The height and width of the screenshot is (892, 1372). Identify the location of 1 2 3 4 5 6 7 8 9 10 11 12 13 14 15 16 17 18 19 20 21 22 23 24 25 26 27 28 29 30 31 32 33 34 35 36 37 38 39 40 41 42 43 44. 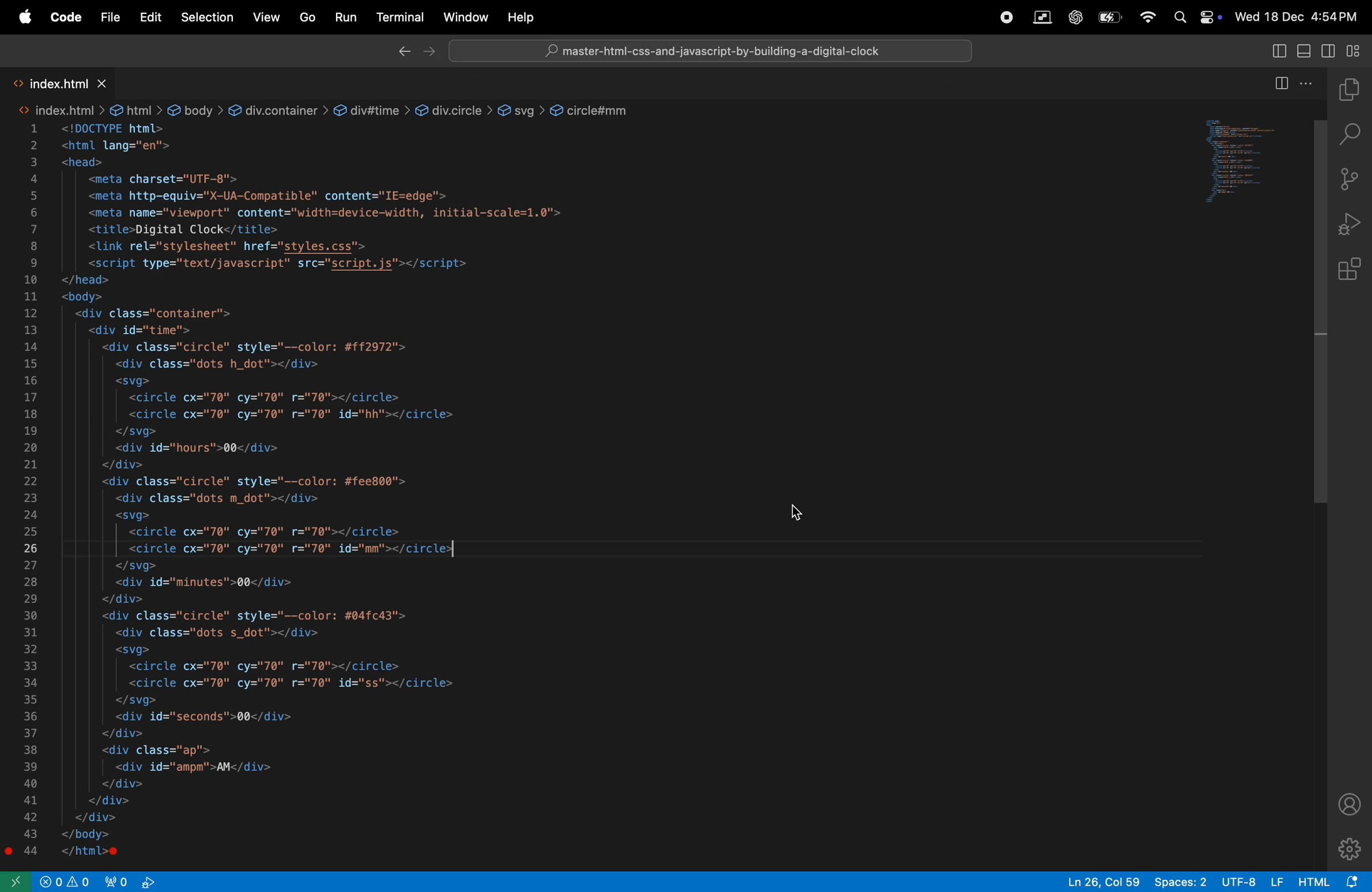
(35, 493).